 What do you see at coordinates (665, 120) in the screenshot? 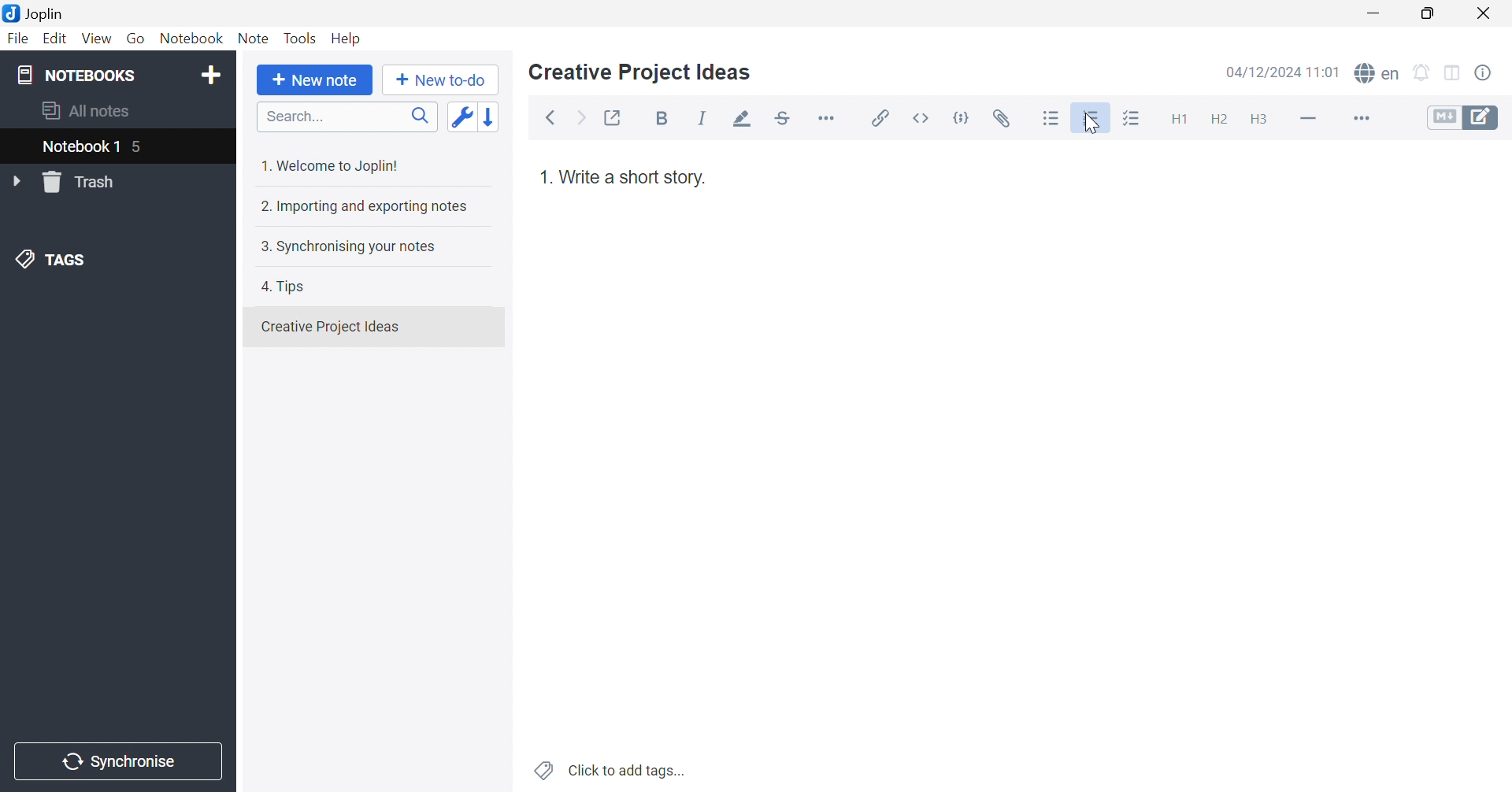
I see `Bold` at bounding box center [665, 120].